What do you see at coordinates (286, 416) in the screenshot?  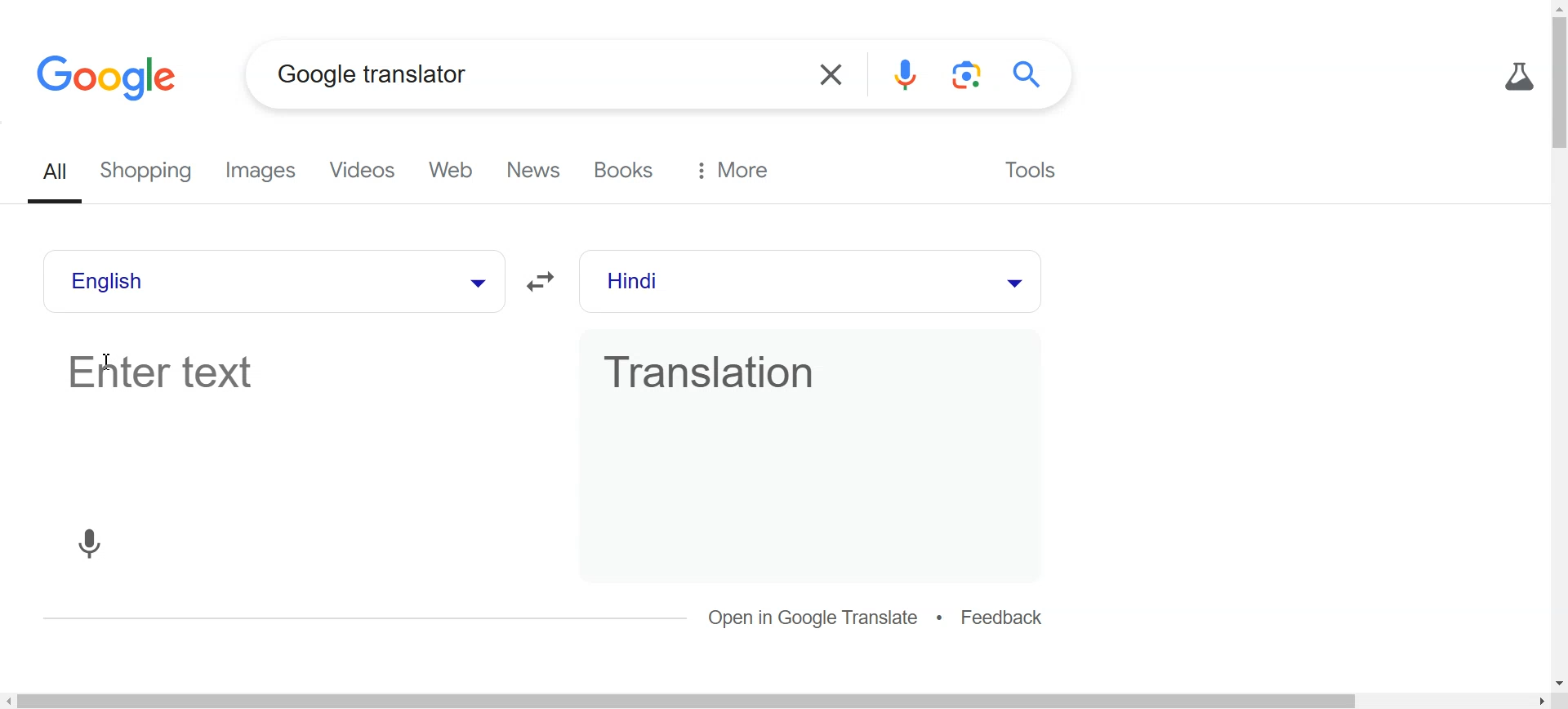 I see `Enter Text` at bounding box center [286, 416].